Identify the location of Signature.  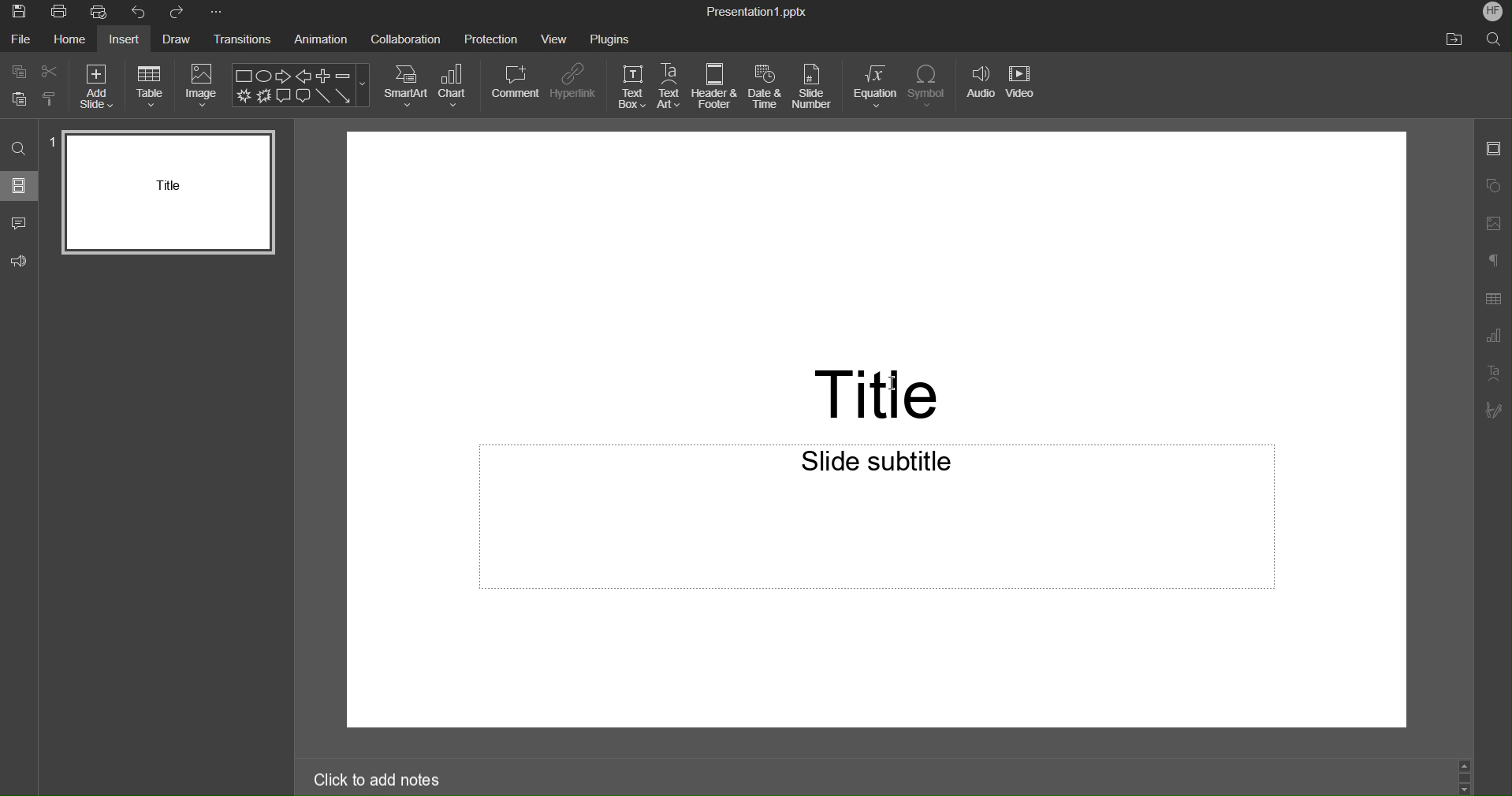
(1492, 411).